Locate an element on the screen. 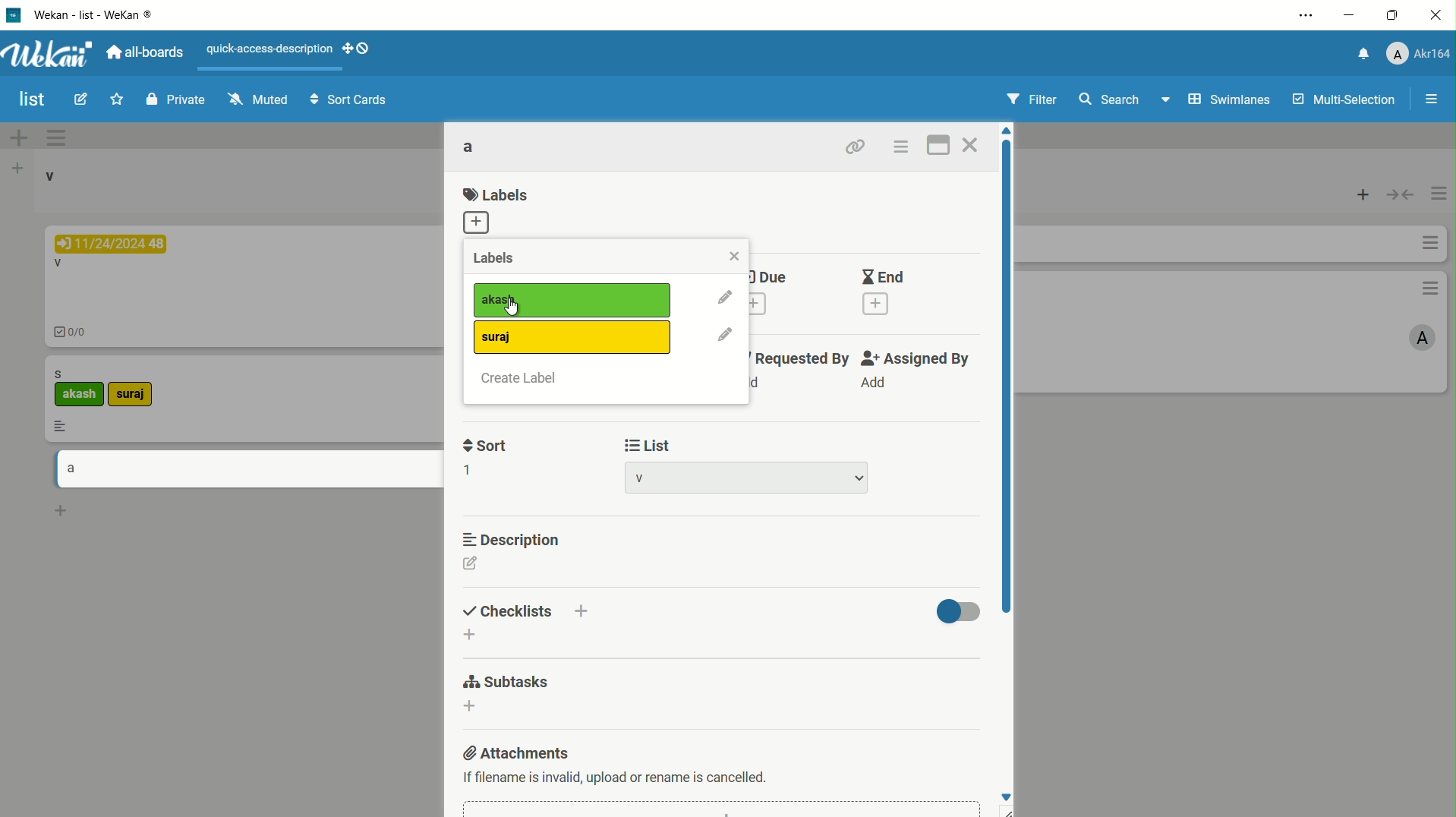 Image resolution: width=1456 pixels, height=817 pixels. suraj is located at coordinates (148, 393).